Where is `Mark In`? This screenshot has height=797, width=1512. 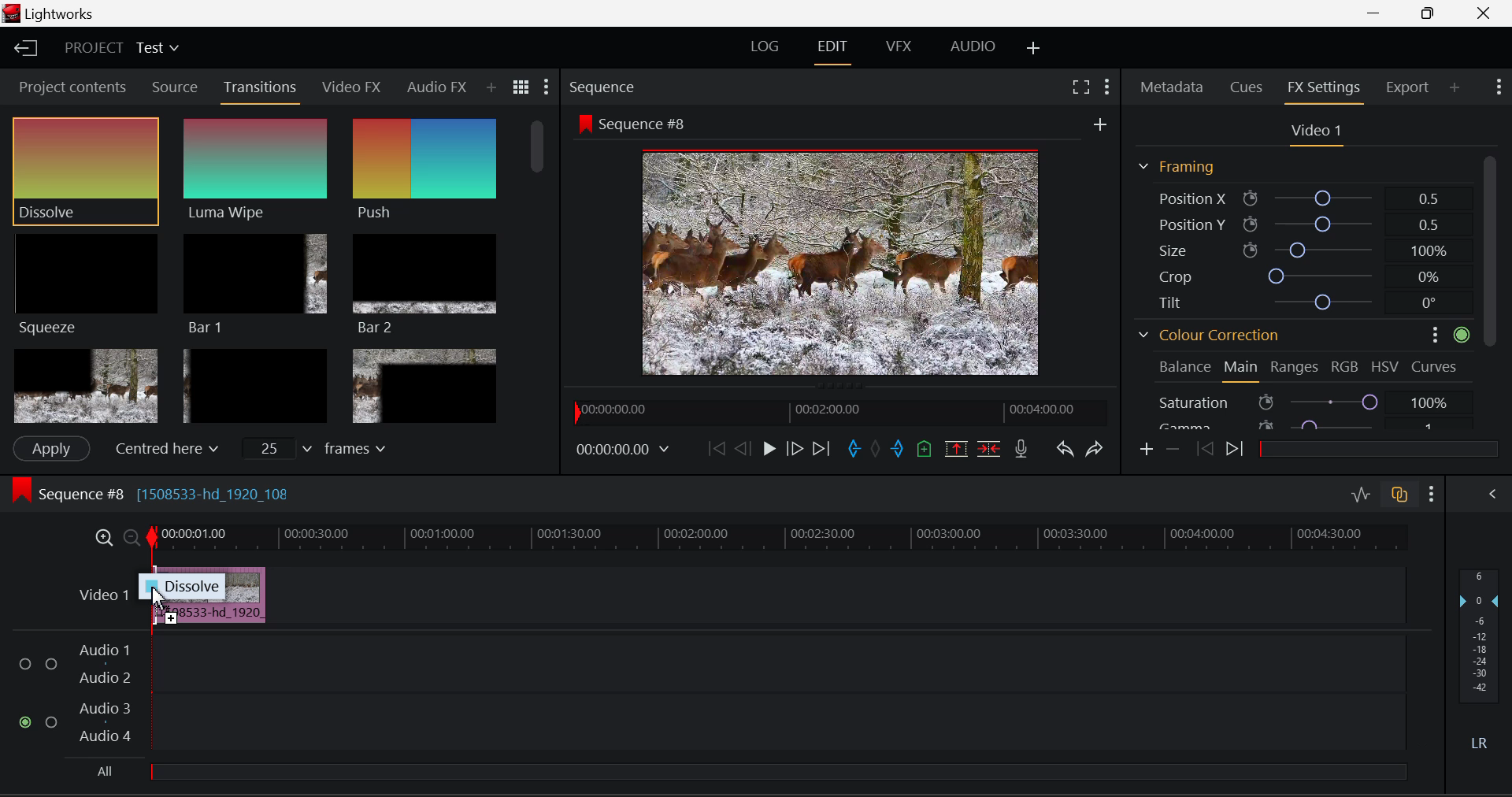 Mark In is located at coordinates (854, 451).